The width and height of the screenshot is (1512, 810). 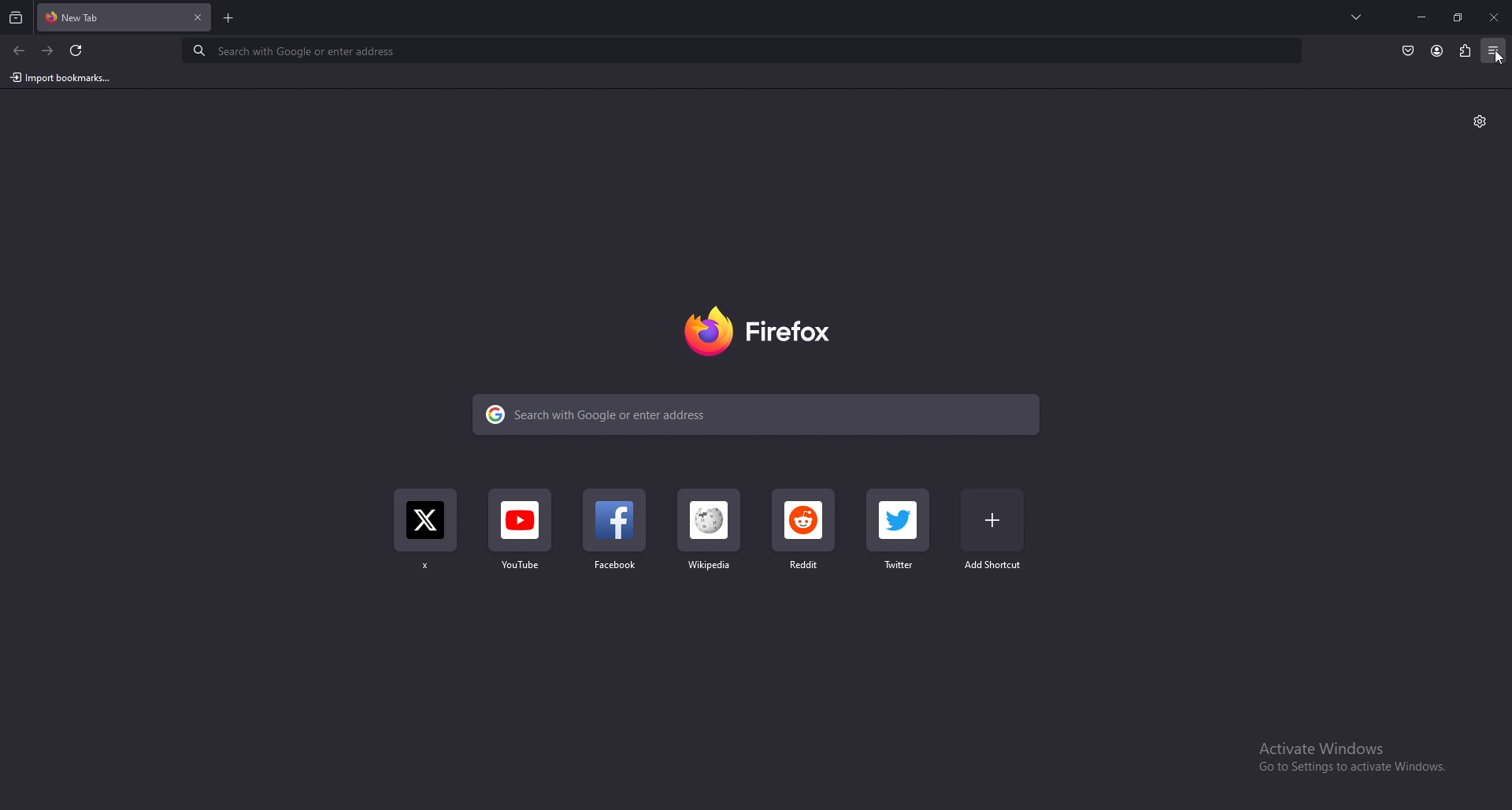 I want to click on extension, so click(x=1464, y=50).